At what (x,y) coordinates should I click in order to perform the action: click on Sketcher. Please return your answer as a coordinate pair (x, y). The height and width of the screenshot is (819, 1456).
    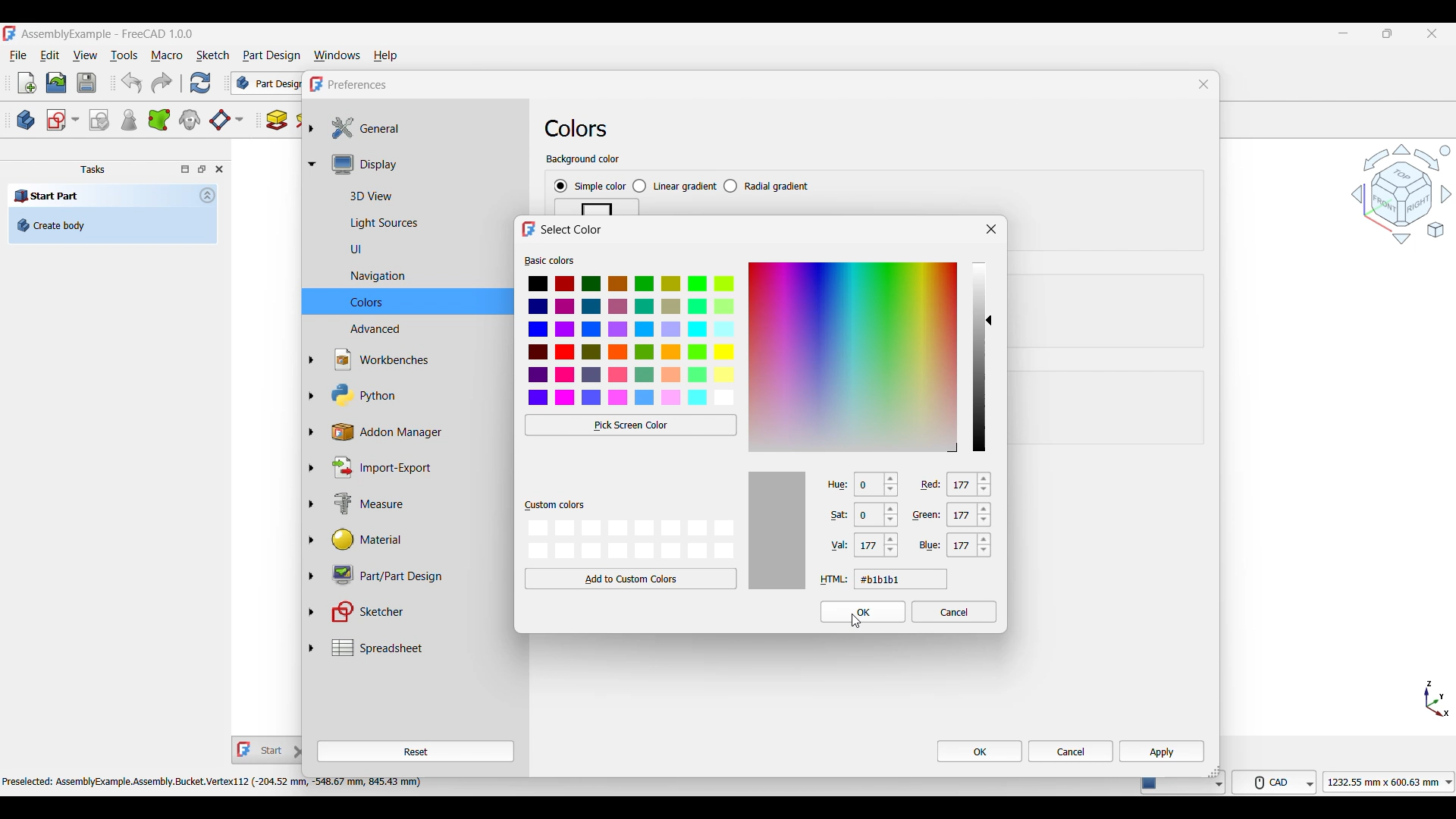
    Looking at the image, I should click on (415, 612).